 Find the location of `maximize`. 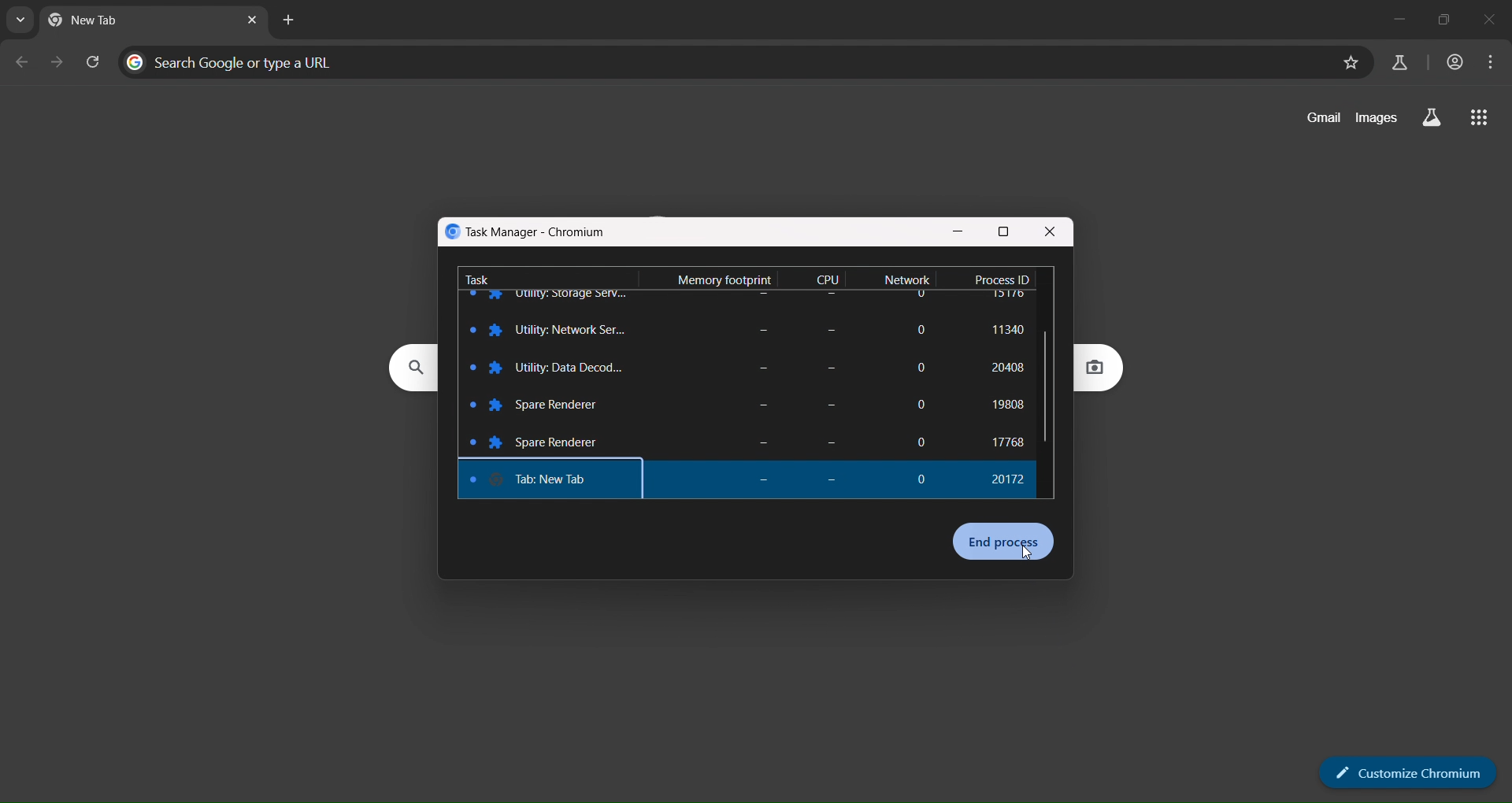

maximize is located at coordinates (1444, 16).